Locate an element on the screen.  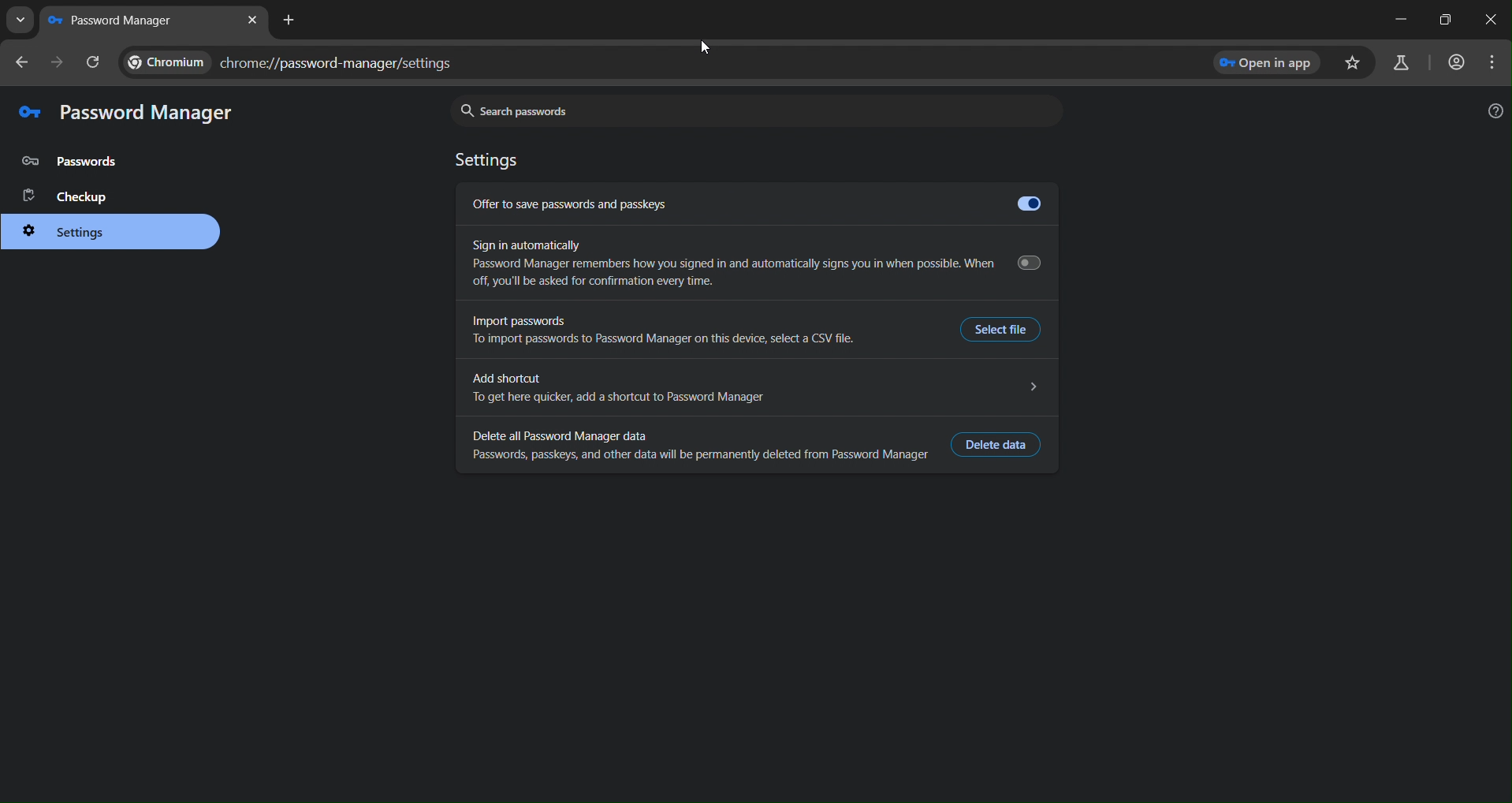
go back one page is located at coordinates (22, 62).